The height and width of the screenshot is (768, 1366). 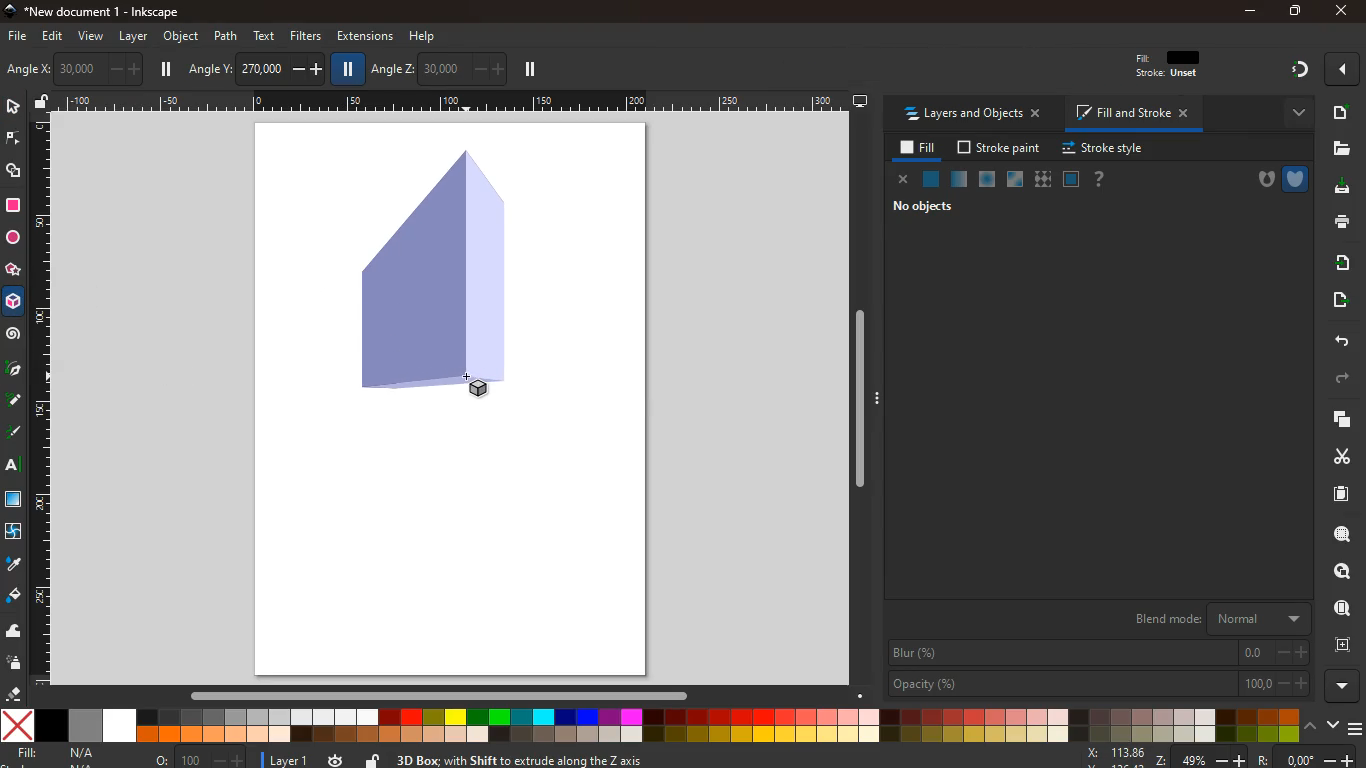 What do you see at coordinates (13, 370) in the screenshot?
I see `pic` at bounding box center [13, 370].